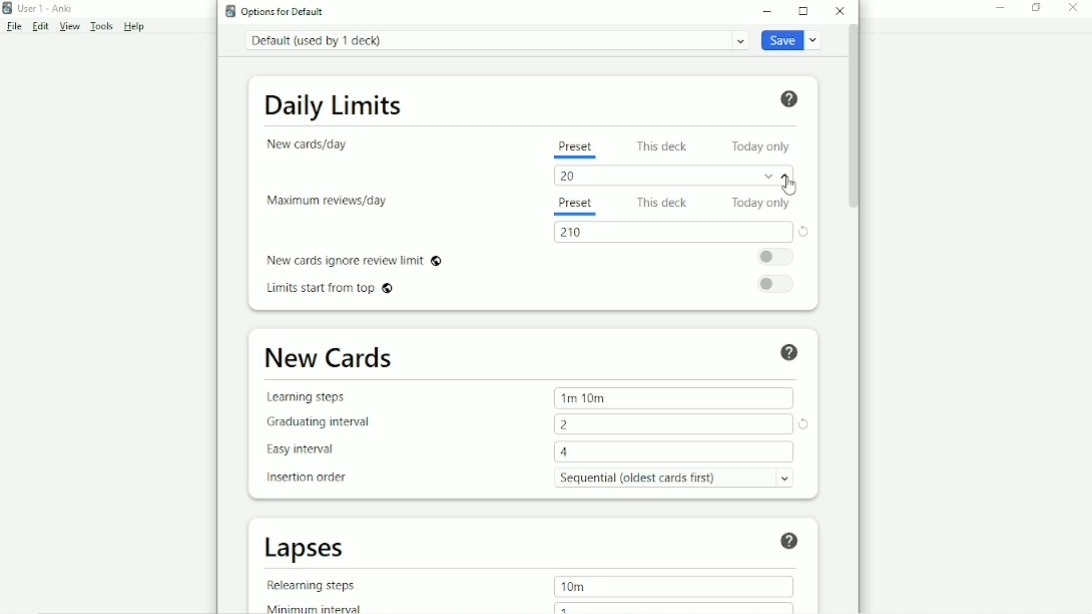 The image size is (1092, 614). I want to click on 1, so click(564, 608).